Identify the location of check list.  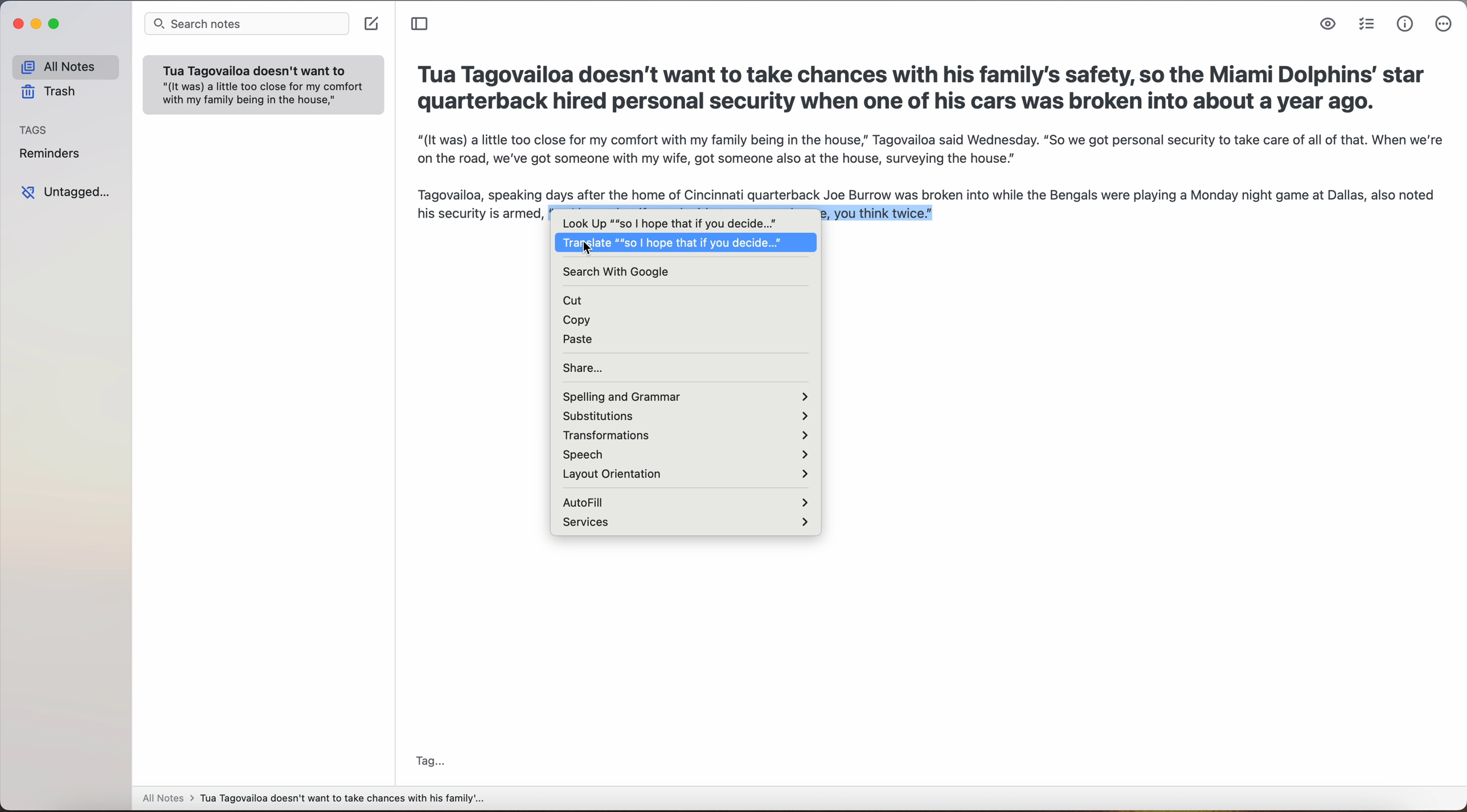
(1367, 26).